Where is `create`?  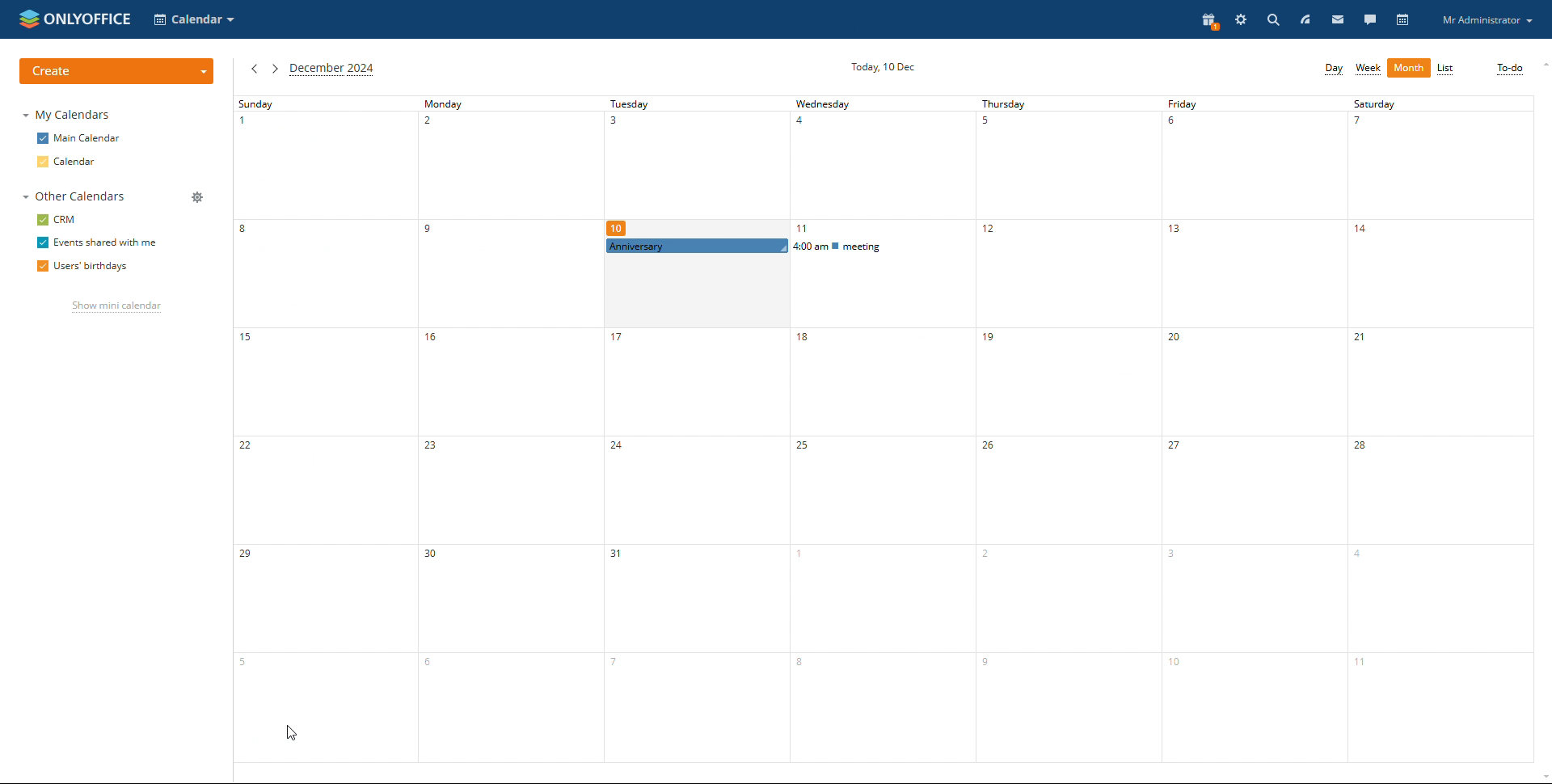 create is located at coordinates (116, 72).